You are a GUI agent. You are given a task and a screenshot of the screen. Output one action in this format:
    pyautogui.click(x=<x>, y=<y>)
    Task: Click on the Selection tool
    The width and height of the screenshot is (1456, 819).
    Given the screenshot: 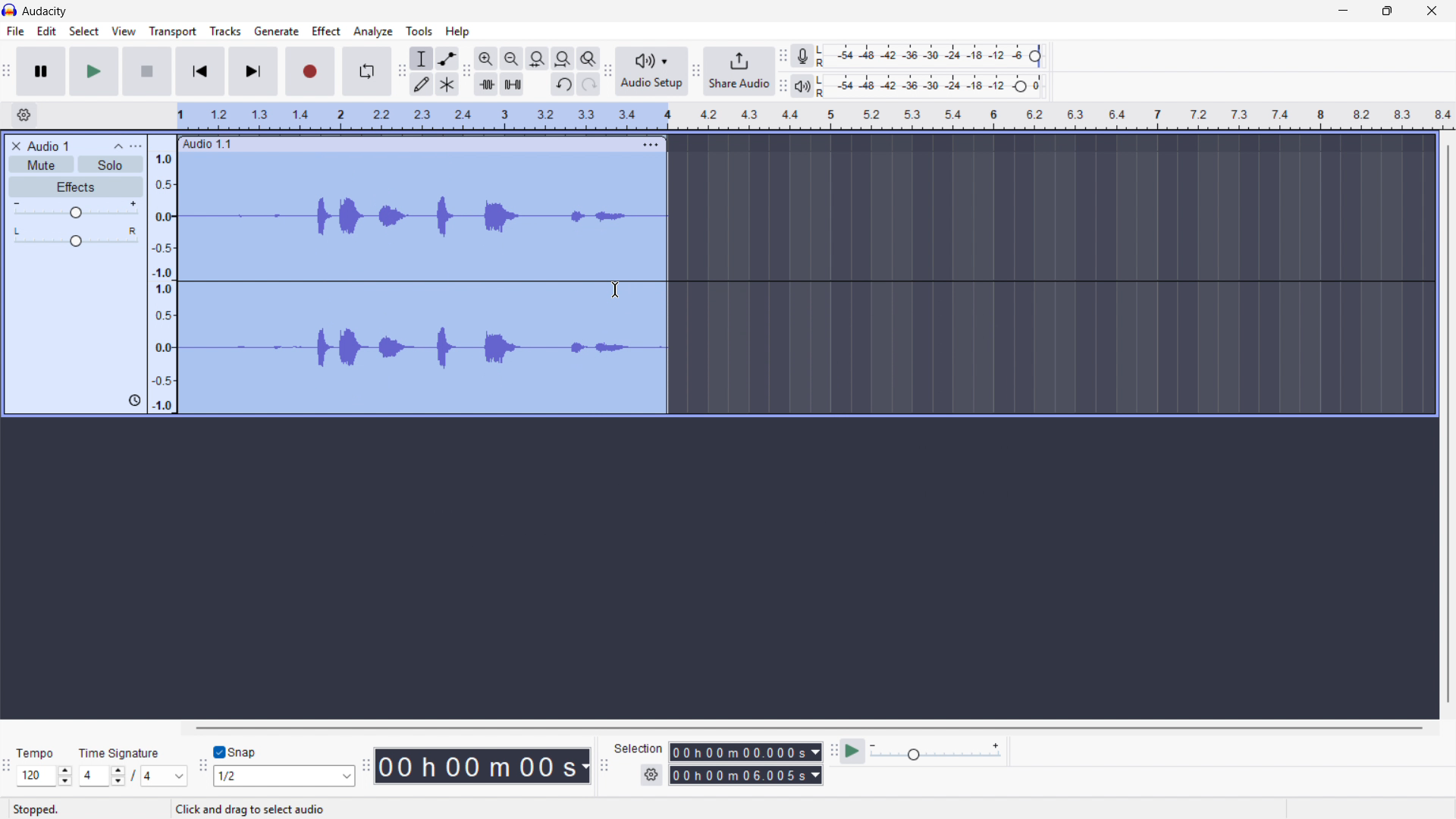 What is the action you would take?
    pyautogui.click(x=422, y=58)
    